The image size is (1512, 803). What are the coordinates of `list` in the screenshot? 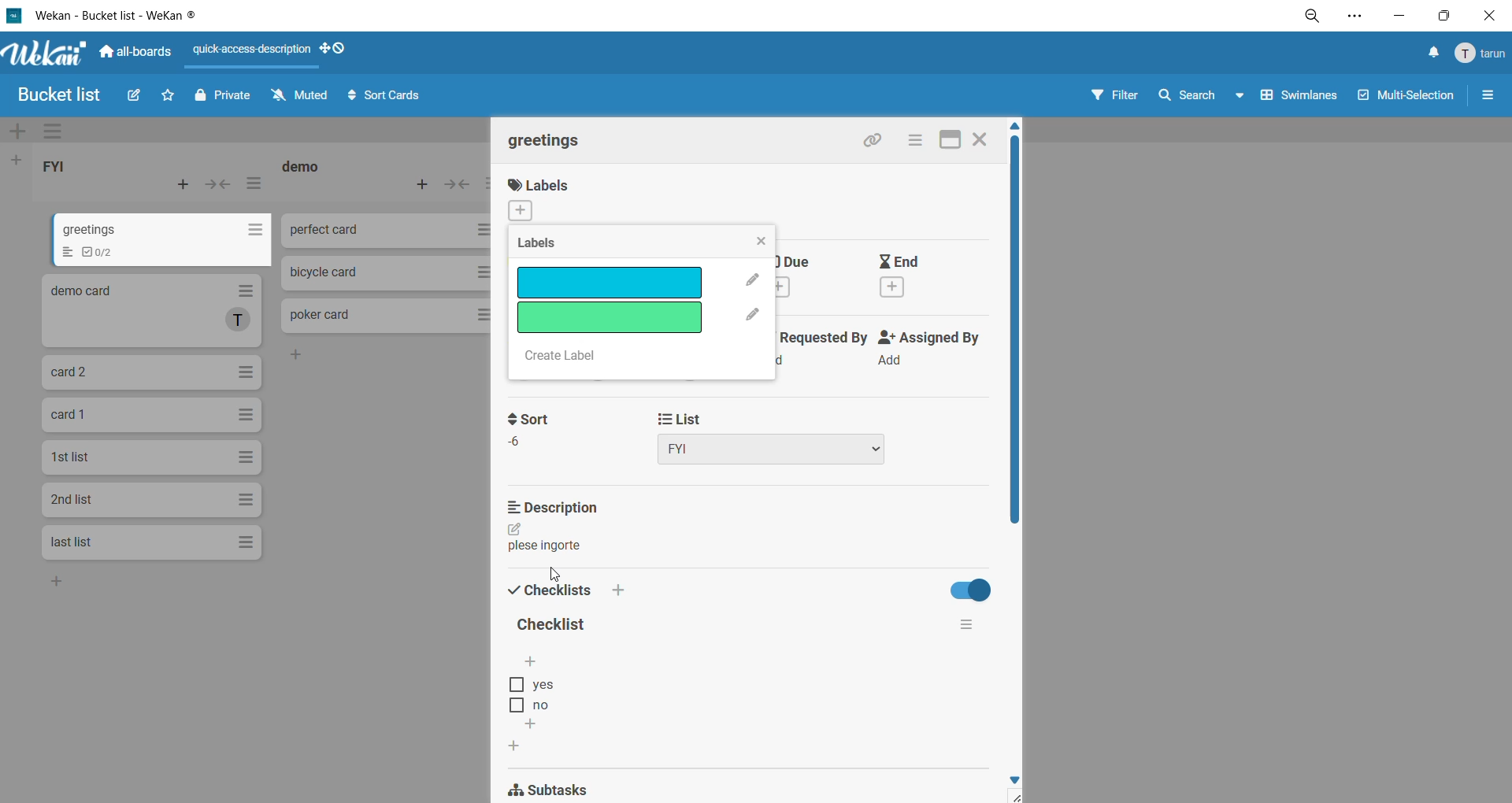 It's located at (780, 439).